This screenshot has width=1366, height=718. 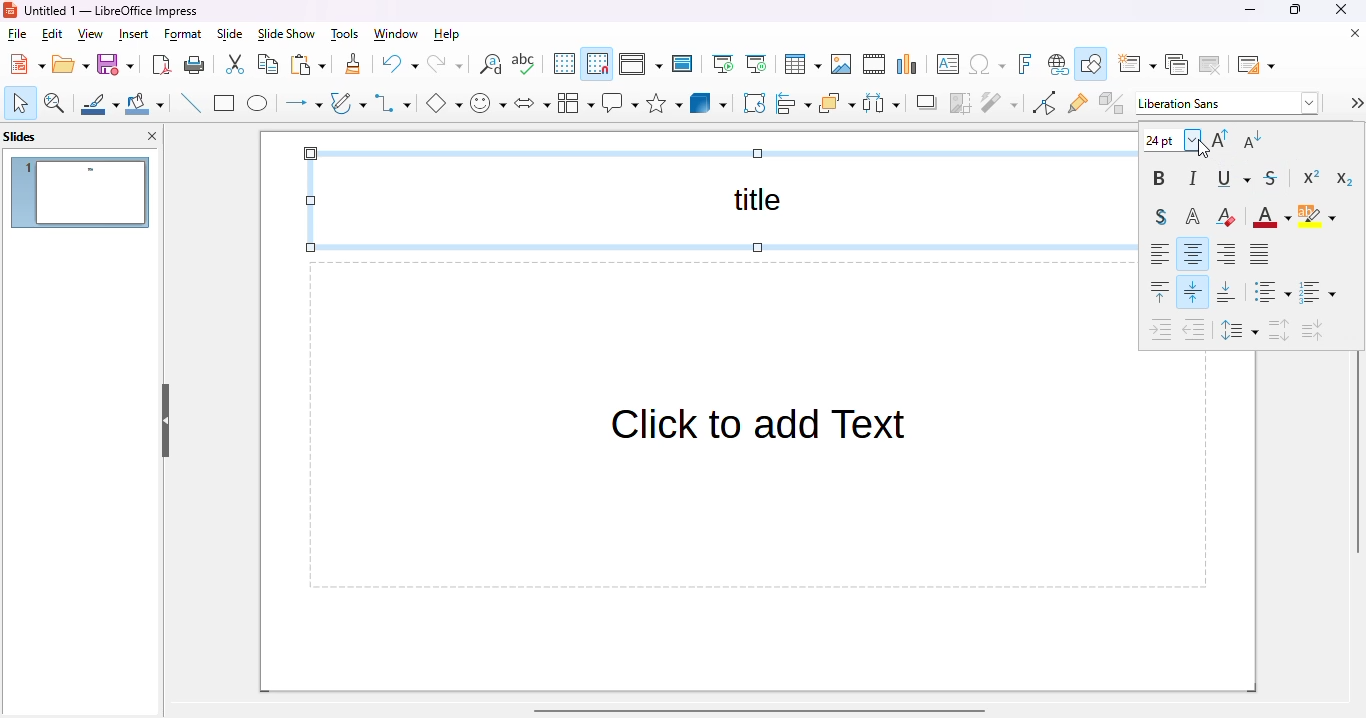 What do you see at coordinates (20, 103) in the screenshot?
I see `select` at bounding box center [20, 103].